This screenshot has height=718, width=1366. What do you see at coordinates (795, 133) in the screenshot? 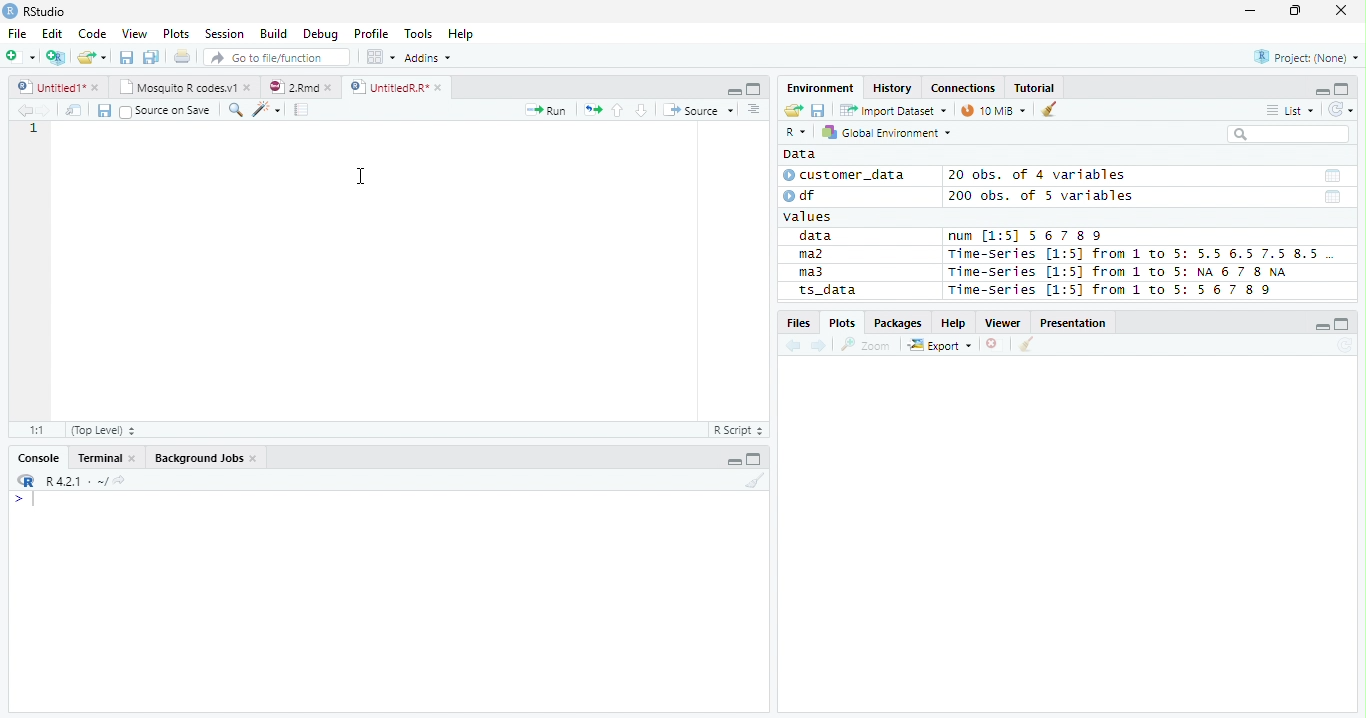
I see `R` at bounding box center [795, 133].